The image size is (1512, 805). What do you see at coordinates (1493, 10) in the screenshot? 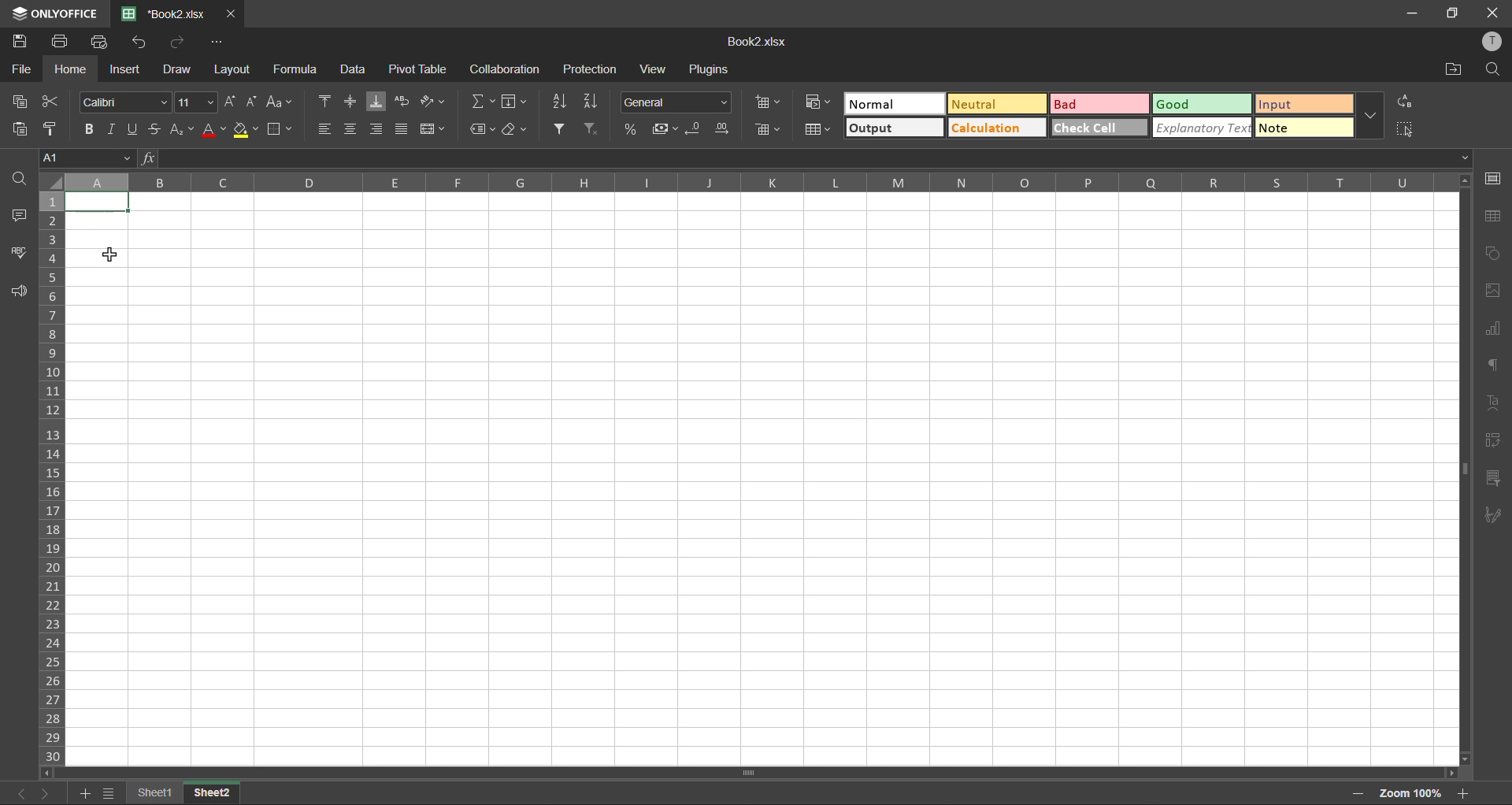
I see `close` at bounding box center [1493, 10].